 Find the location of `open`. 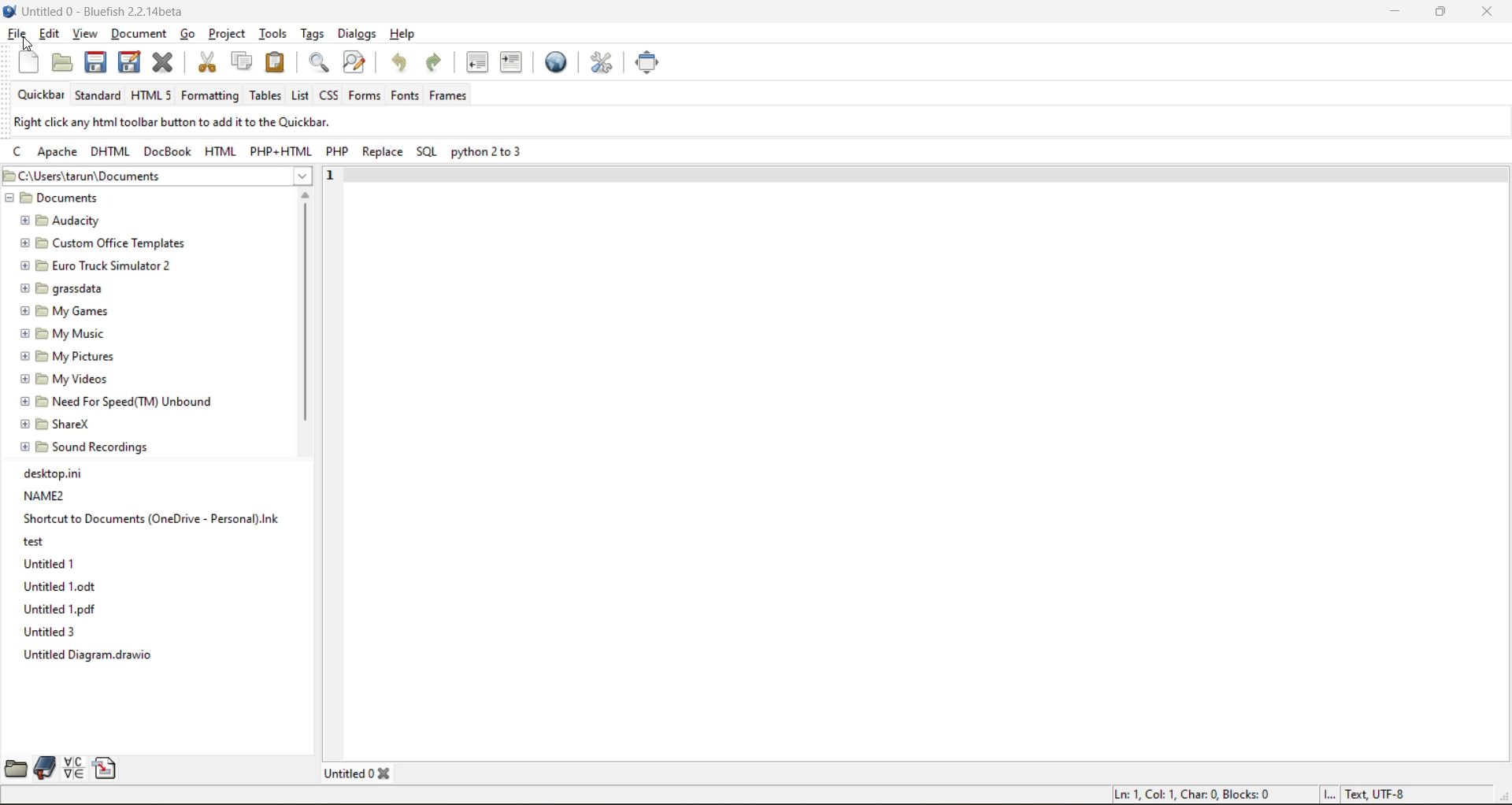

open is located at coordinates (62, 65).